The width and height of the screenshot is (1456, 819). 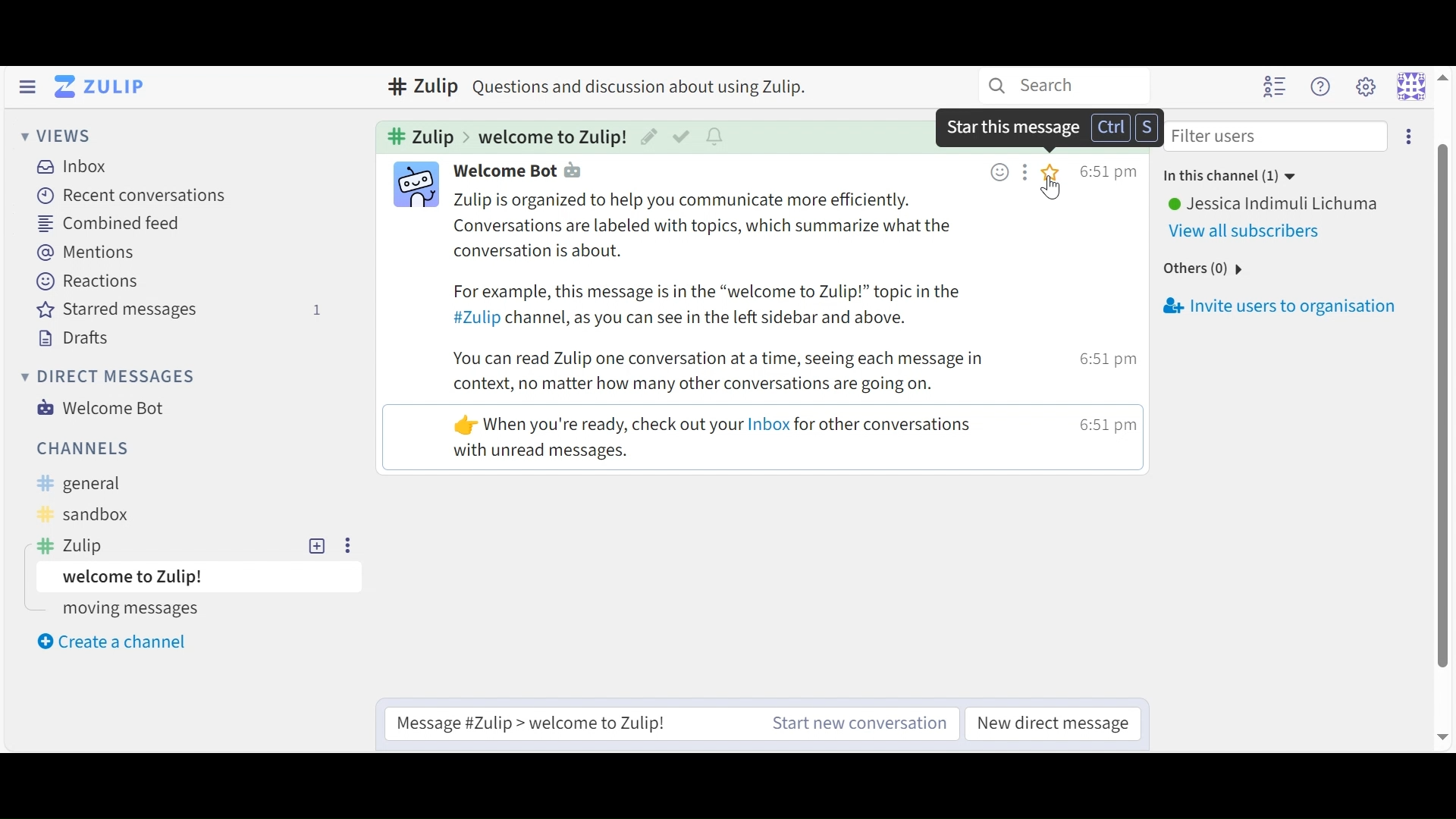 What do you see at coordinates (416, 184) in the screenshot?
I see `Participant icon` at bounding box center [416, 184].